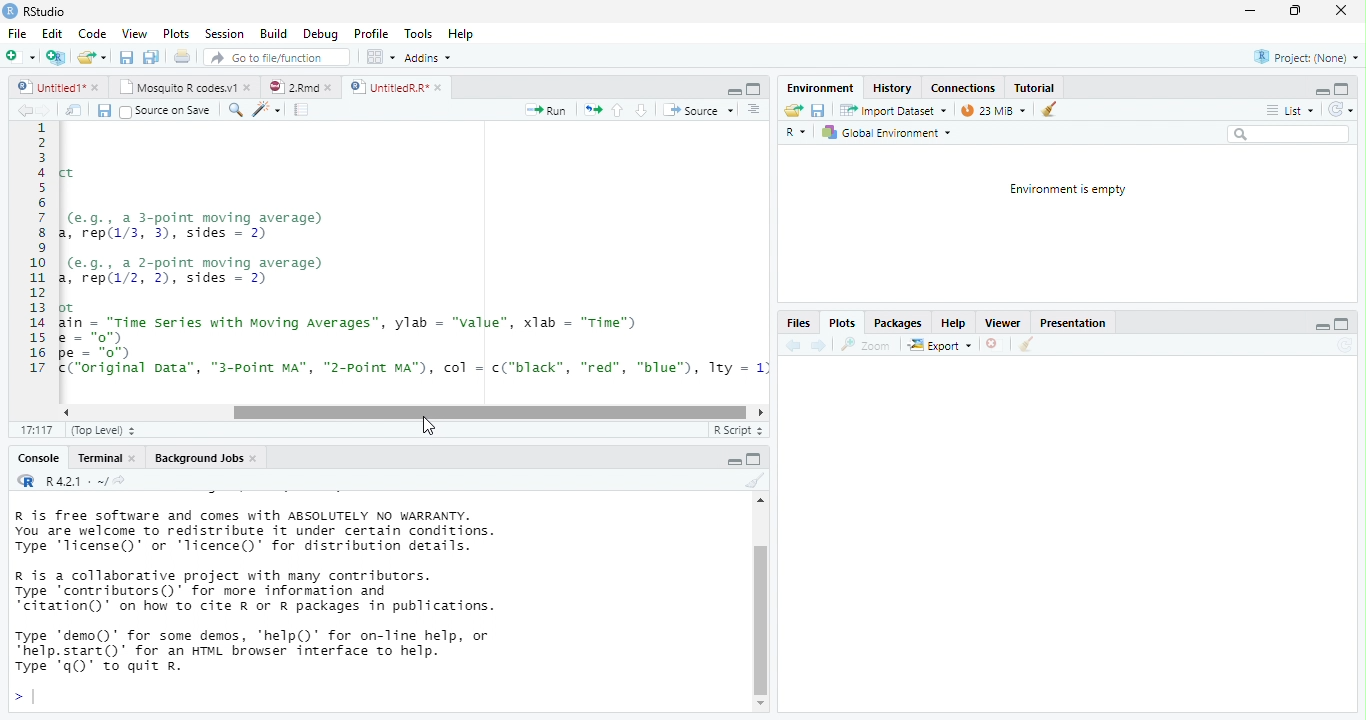  I want to click on maximize, so click(1295, 11).